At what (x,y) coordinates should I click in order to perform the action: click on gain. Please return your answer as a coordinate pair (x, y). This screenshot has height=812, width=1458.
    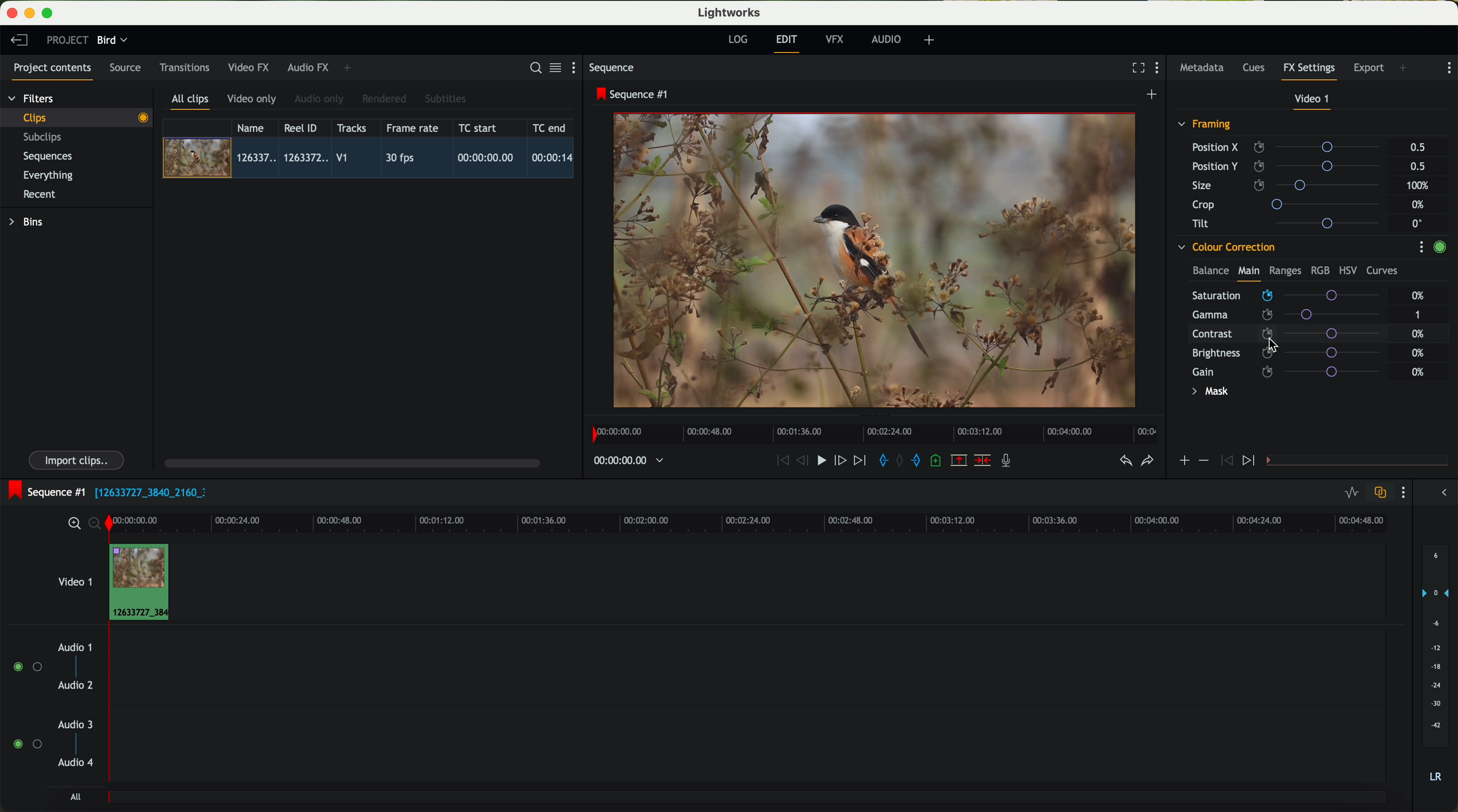
    Looking at the image, I should click on (1293, 371).